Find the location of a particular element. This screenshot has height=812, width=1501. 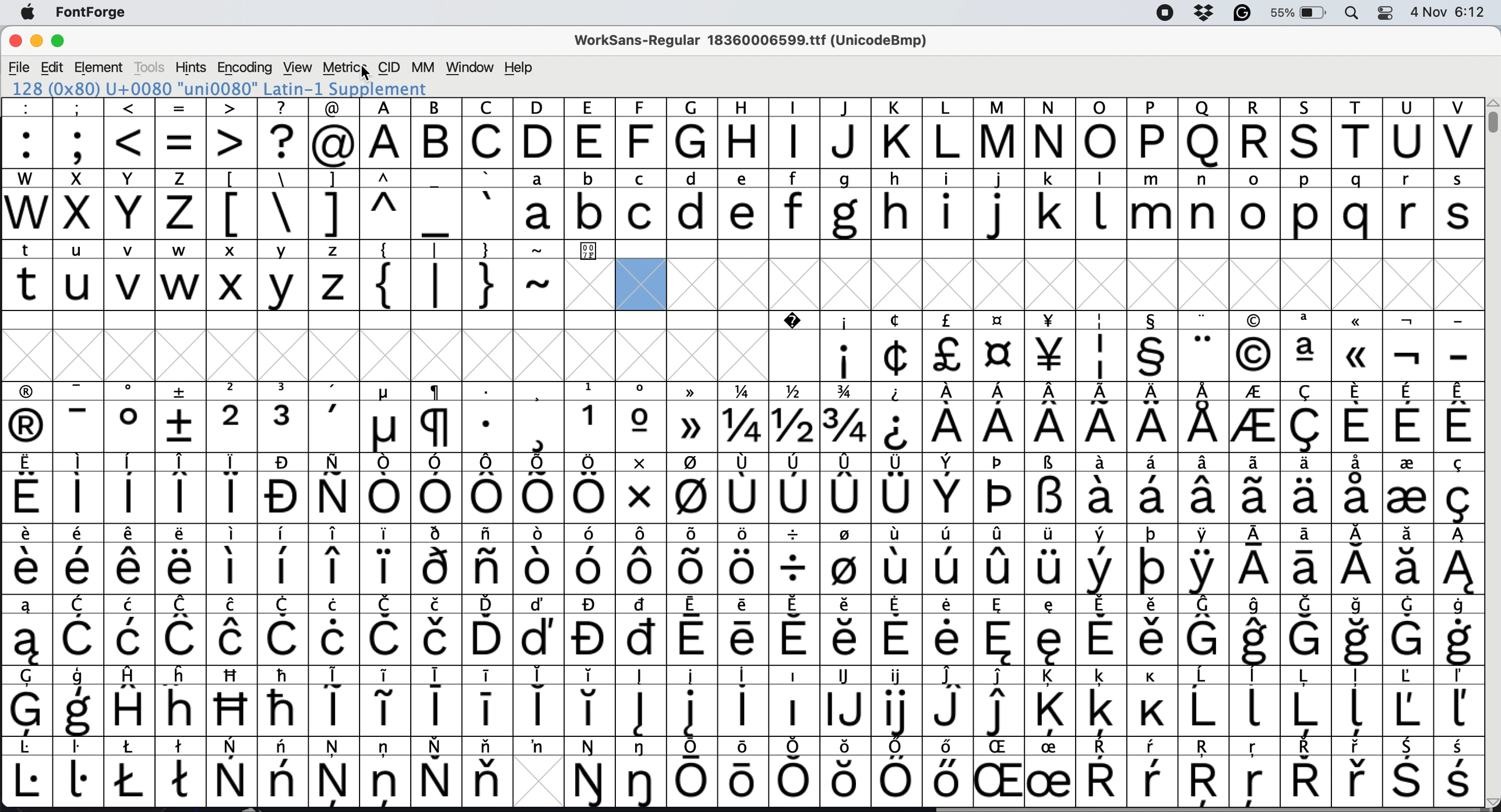

special characters is located at coordinates (737, 462).